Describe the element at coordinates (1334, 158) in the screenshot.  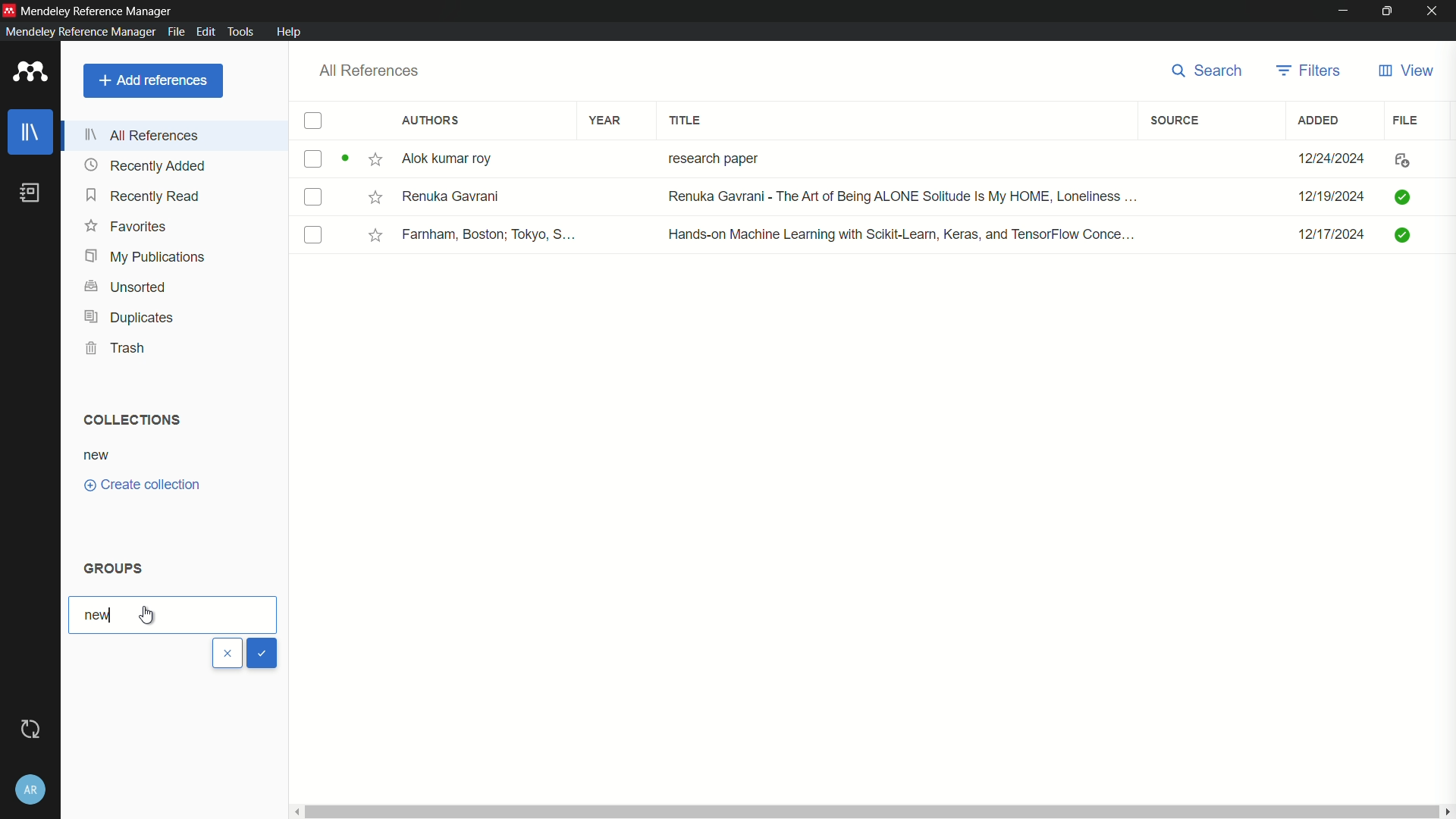
I see `Date` at that location.